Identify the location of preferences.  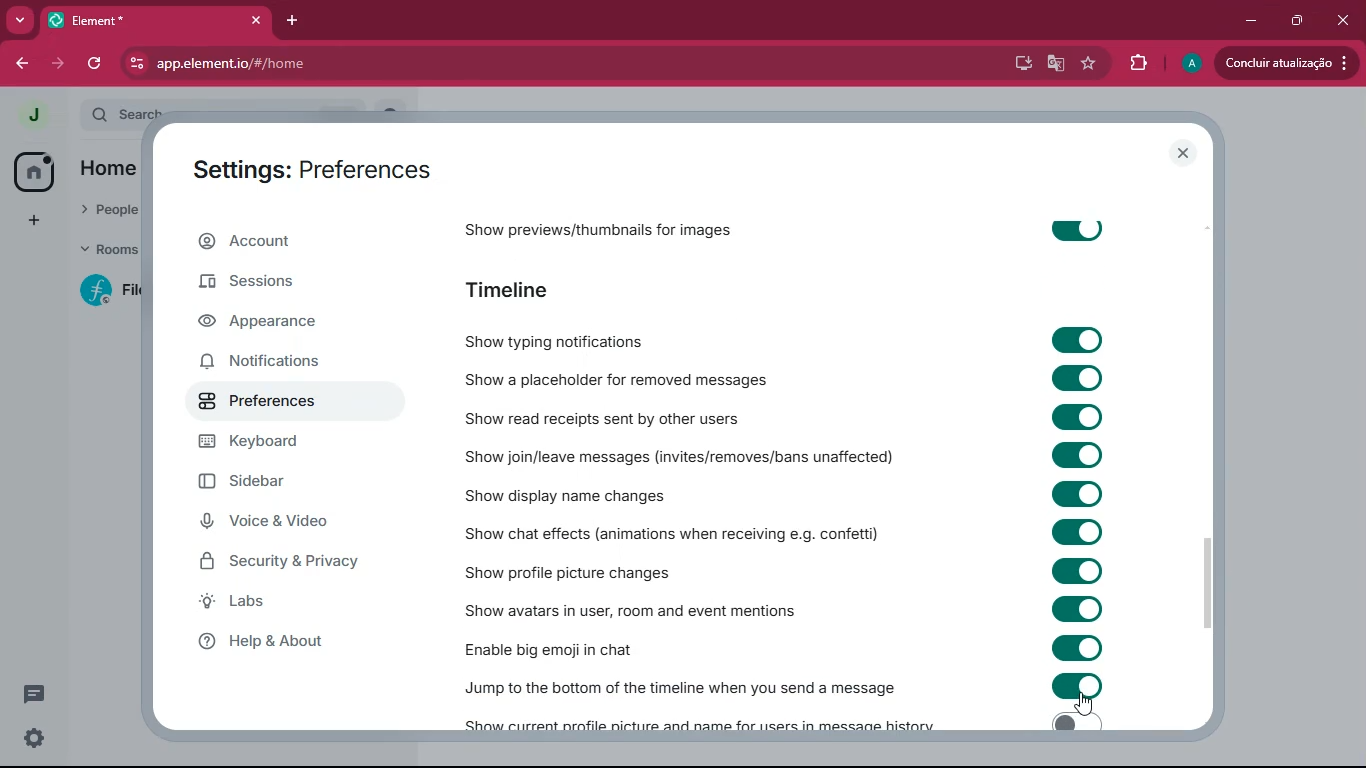
(281, 400).